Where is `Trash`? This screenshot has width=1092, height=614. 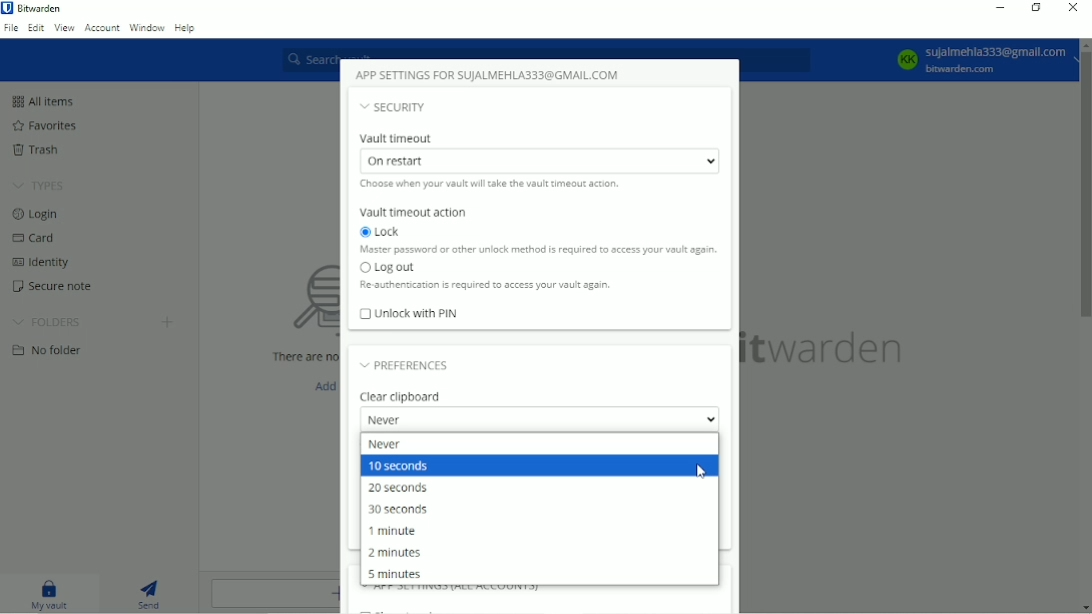
Trash is located at coordinates (37, 148).